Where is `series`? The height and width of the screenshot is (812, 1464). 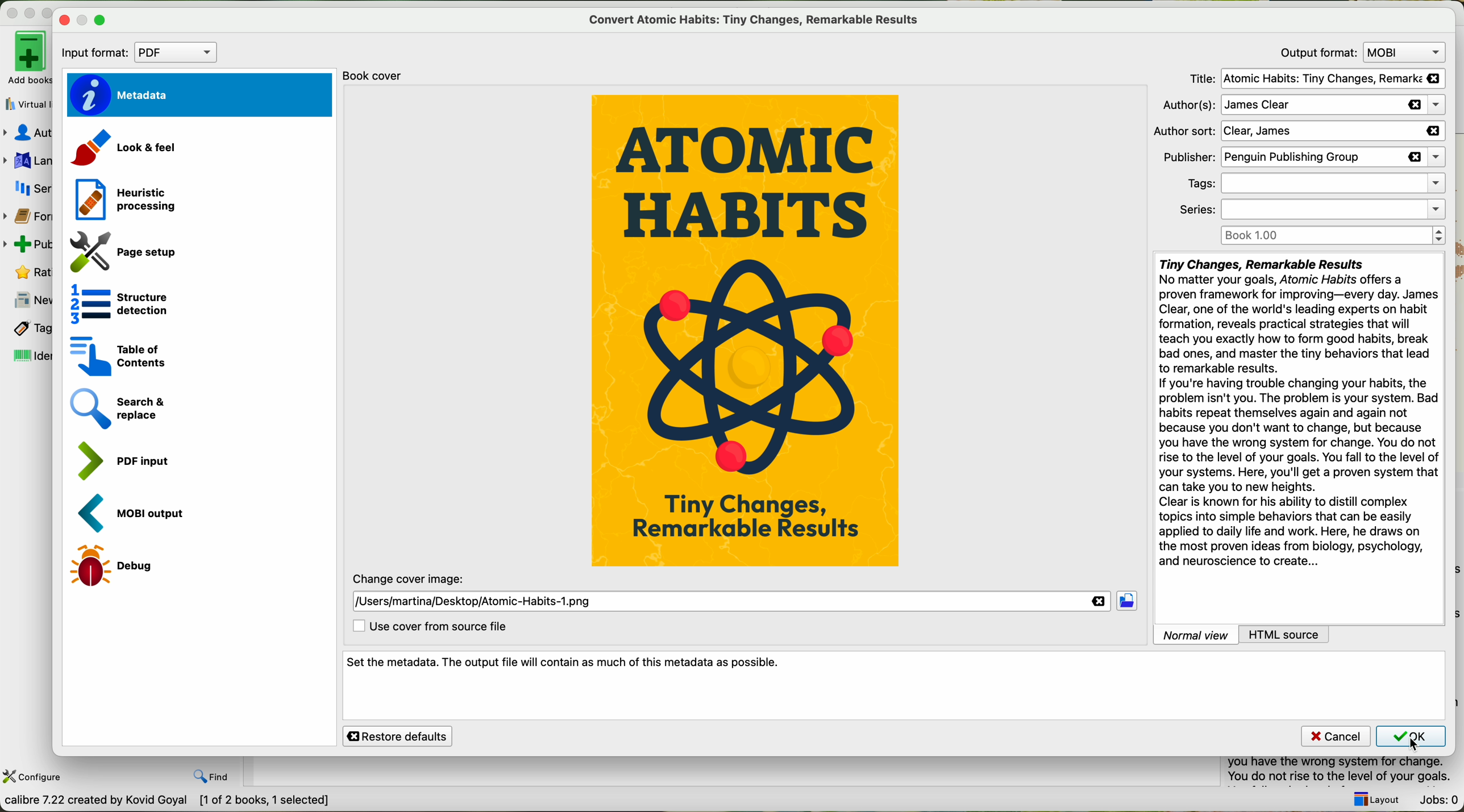
series is located at coordinates (33, 190).